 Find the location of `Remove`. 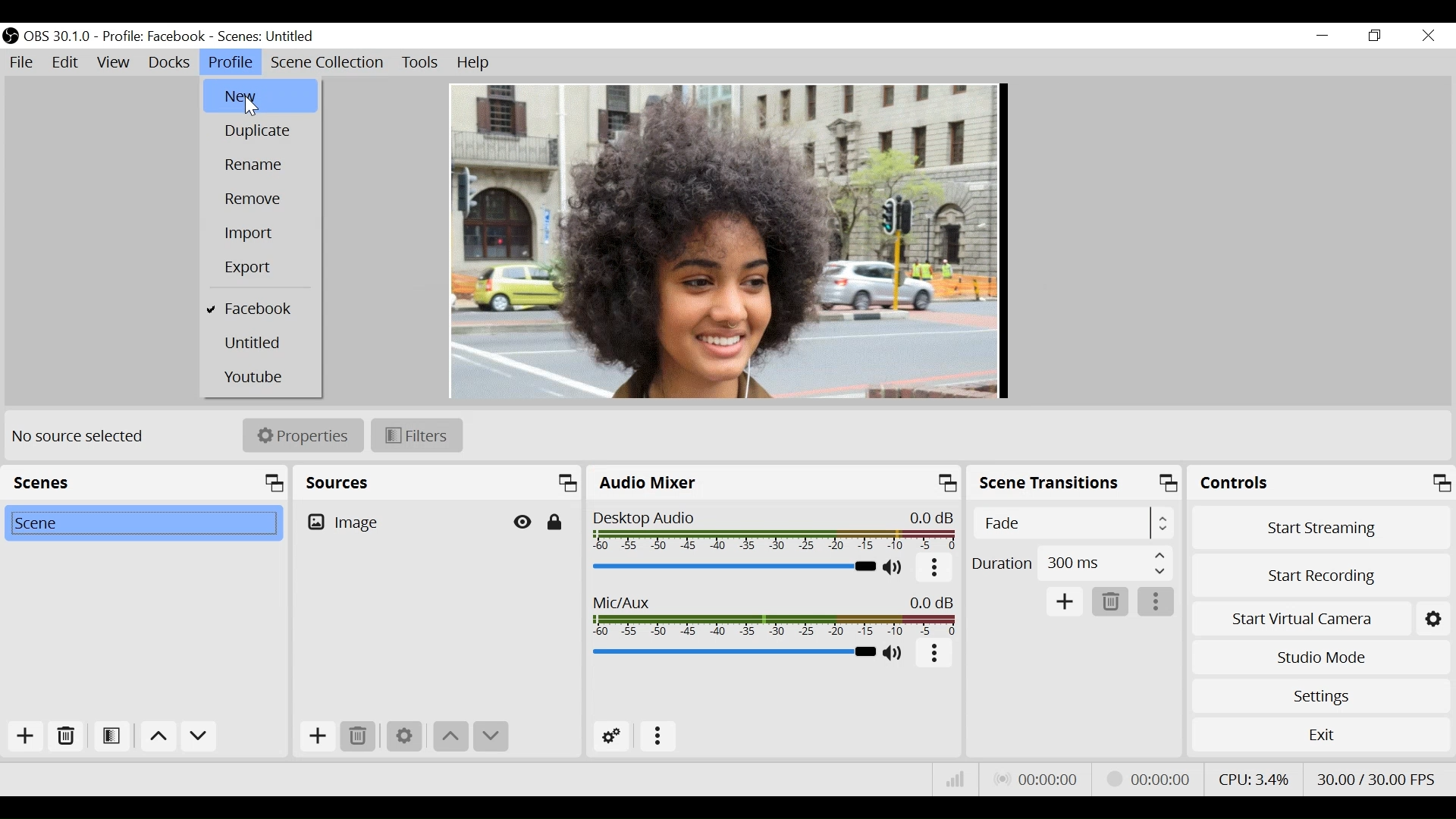

Remove is located at coordinates (64, 739).